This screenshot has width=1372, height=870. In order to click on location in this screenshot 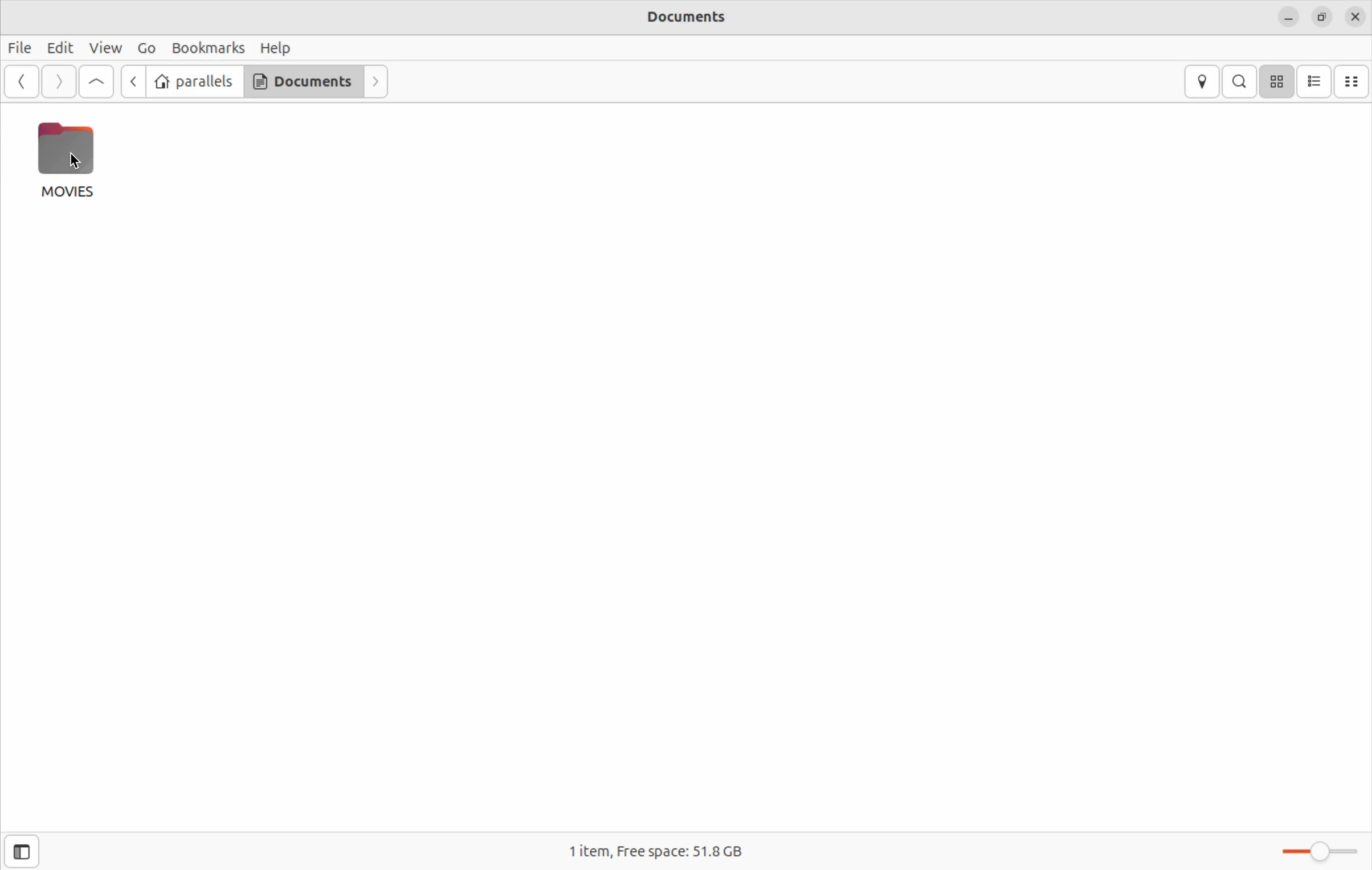, I will do `click(1201, 82)`.